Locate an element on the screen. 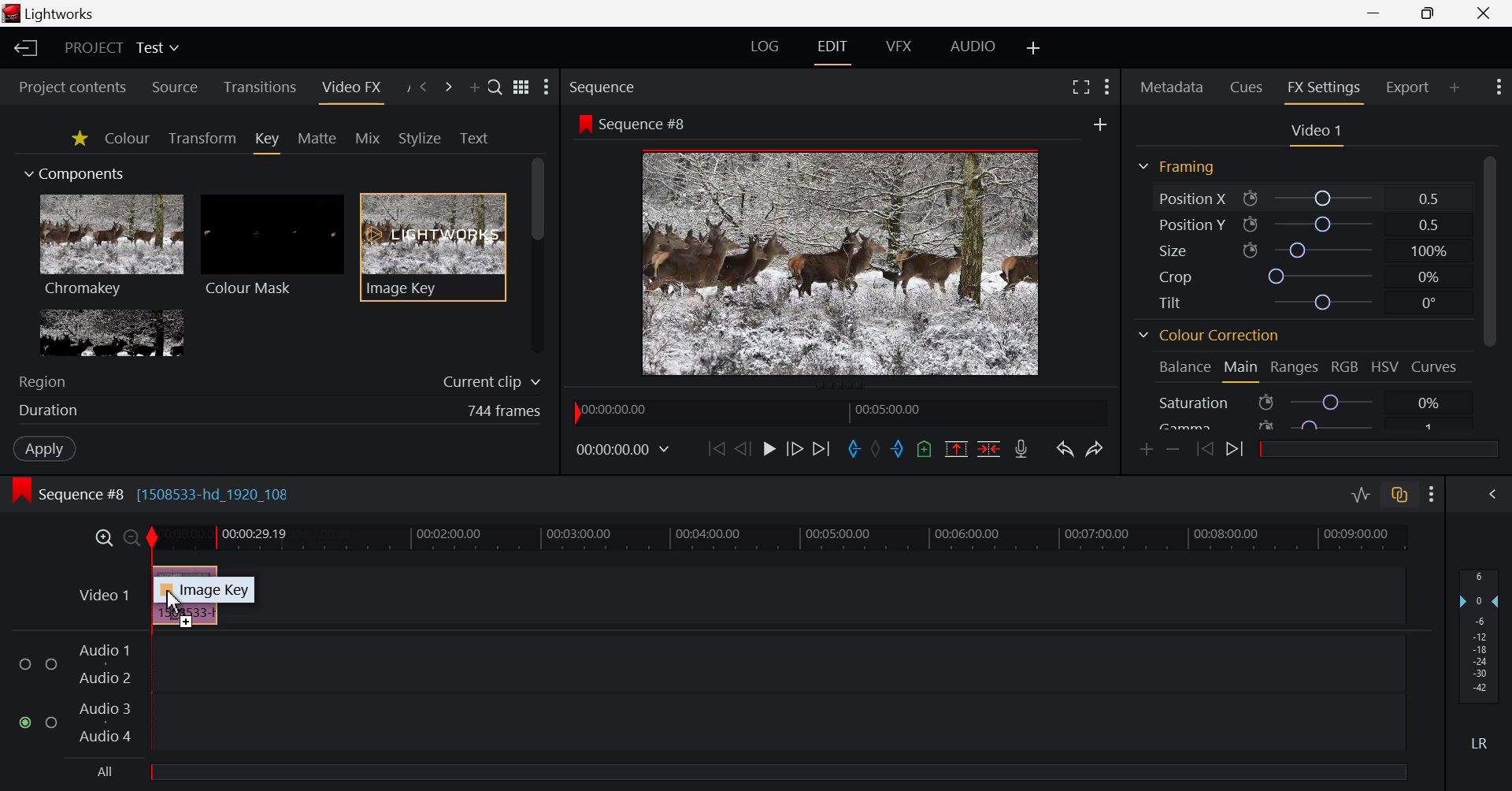 This screenshot has height=791, width=1512. 1 is located at coordinates (1429, 429).